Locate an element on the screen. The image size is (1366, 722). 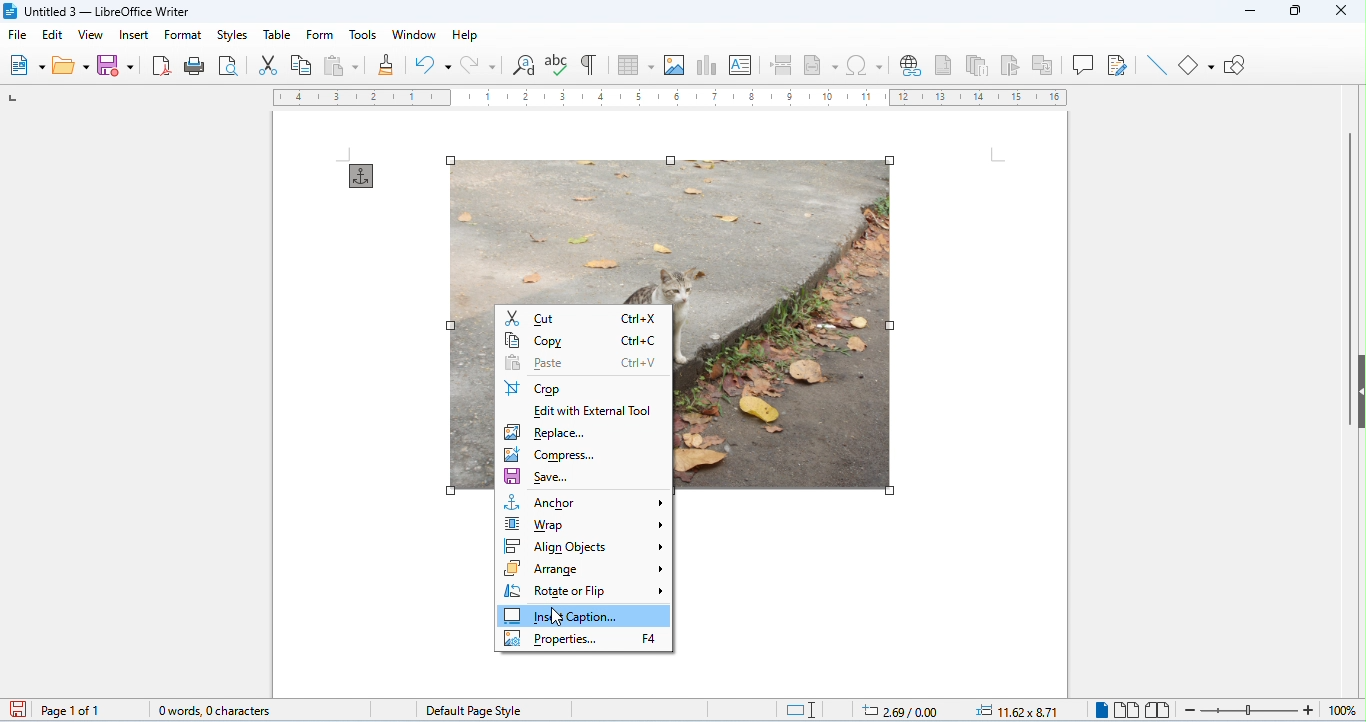
table is located at coordinates (636, 66).